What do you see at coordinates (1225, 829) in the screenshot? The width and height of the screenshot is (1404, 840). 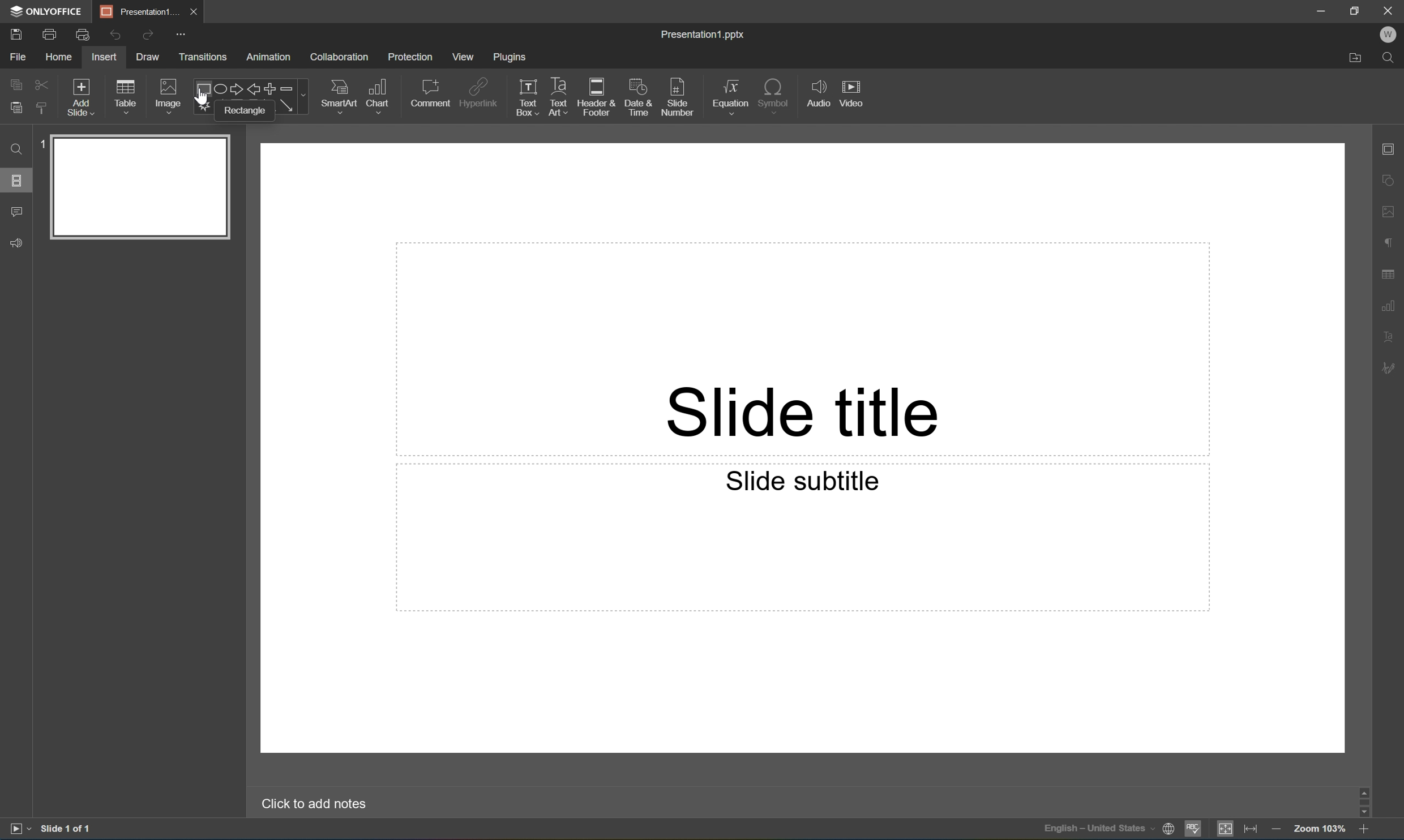 I see `Fit to slide` at bounding box center [1225, 829].